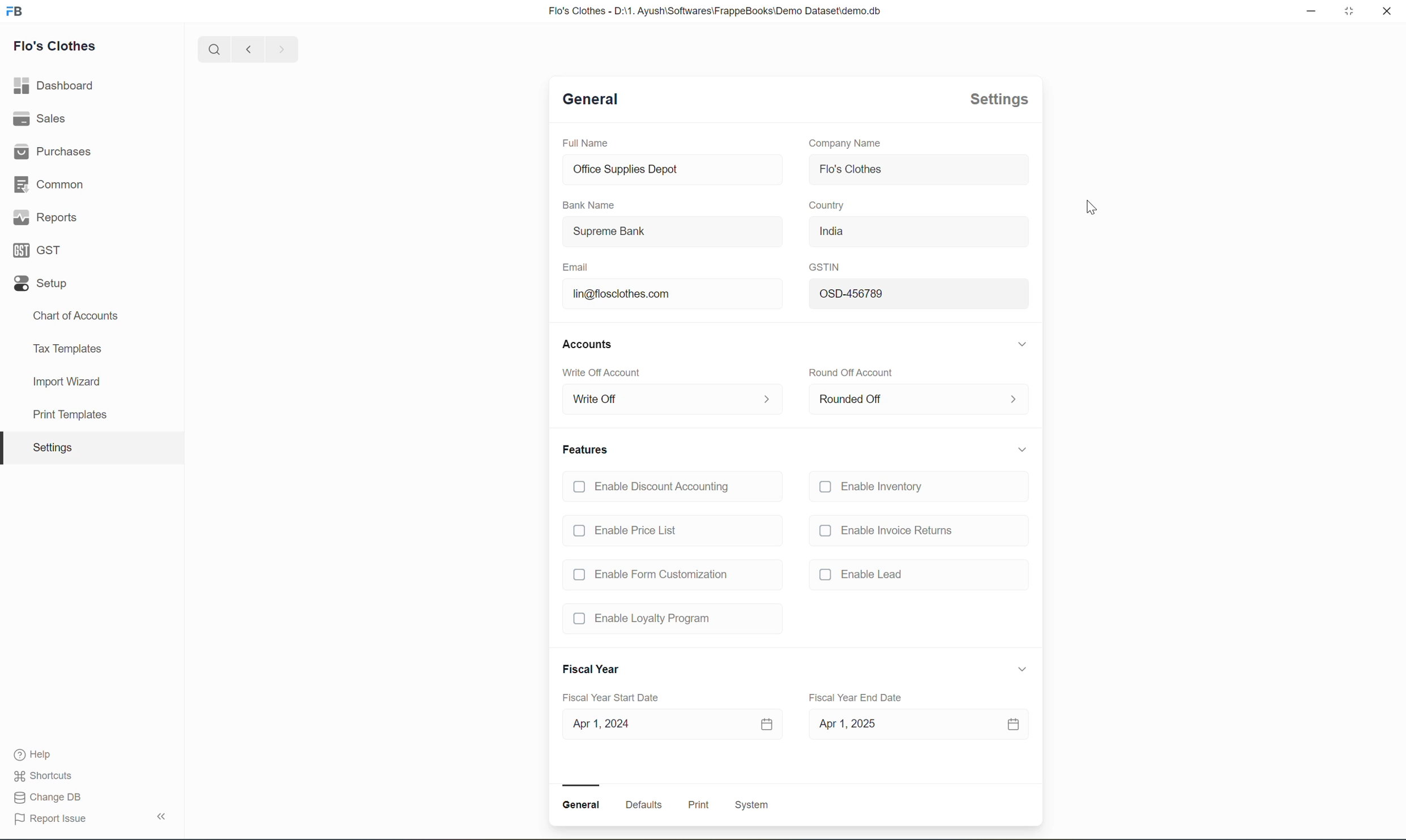  I want to click on Office Supplies Depot, so click(673, 169).